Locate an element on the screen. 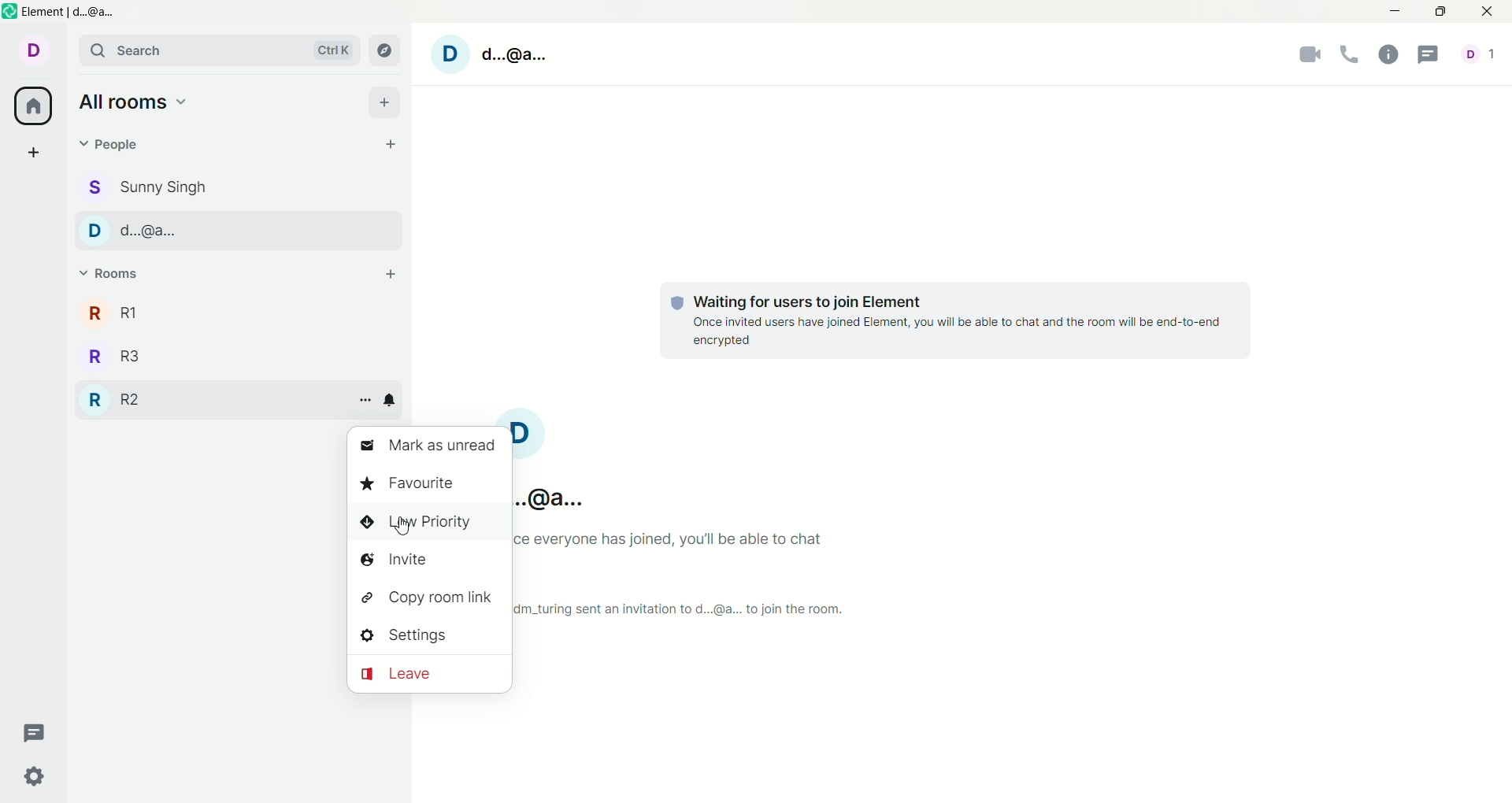  all rooms is located at coordinates (31, 107).